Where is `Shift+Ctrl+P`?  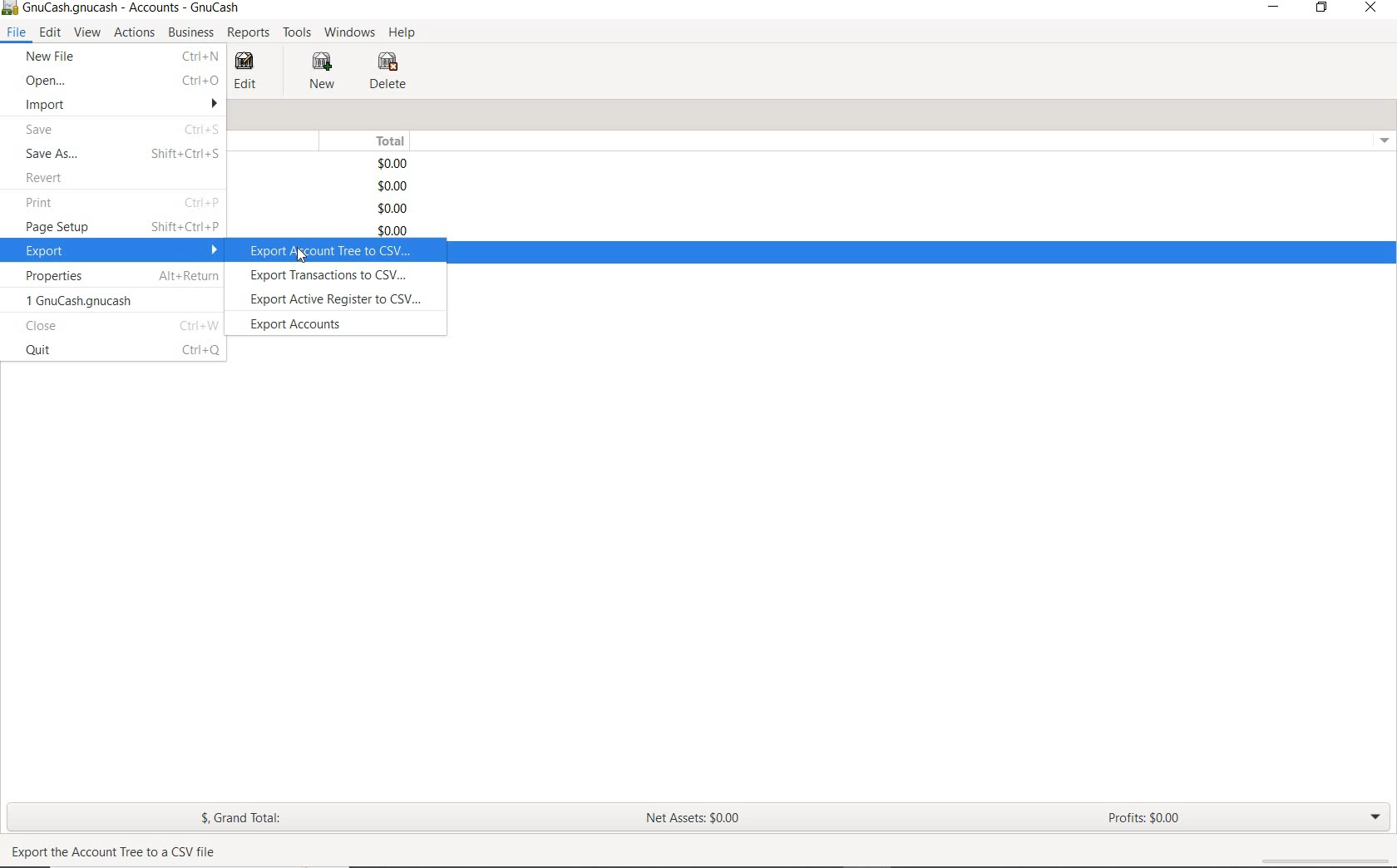 Shift+Ctrl+P is located at coordinates (187, 228).